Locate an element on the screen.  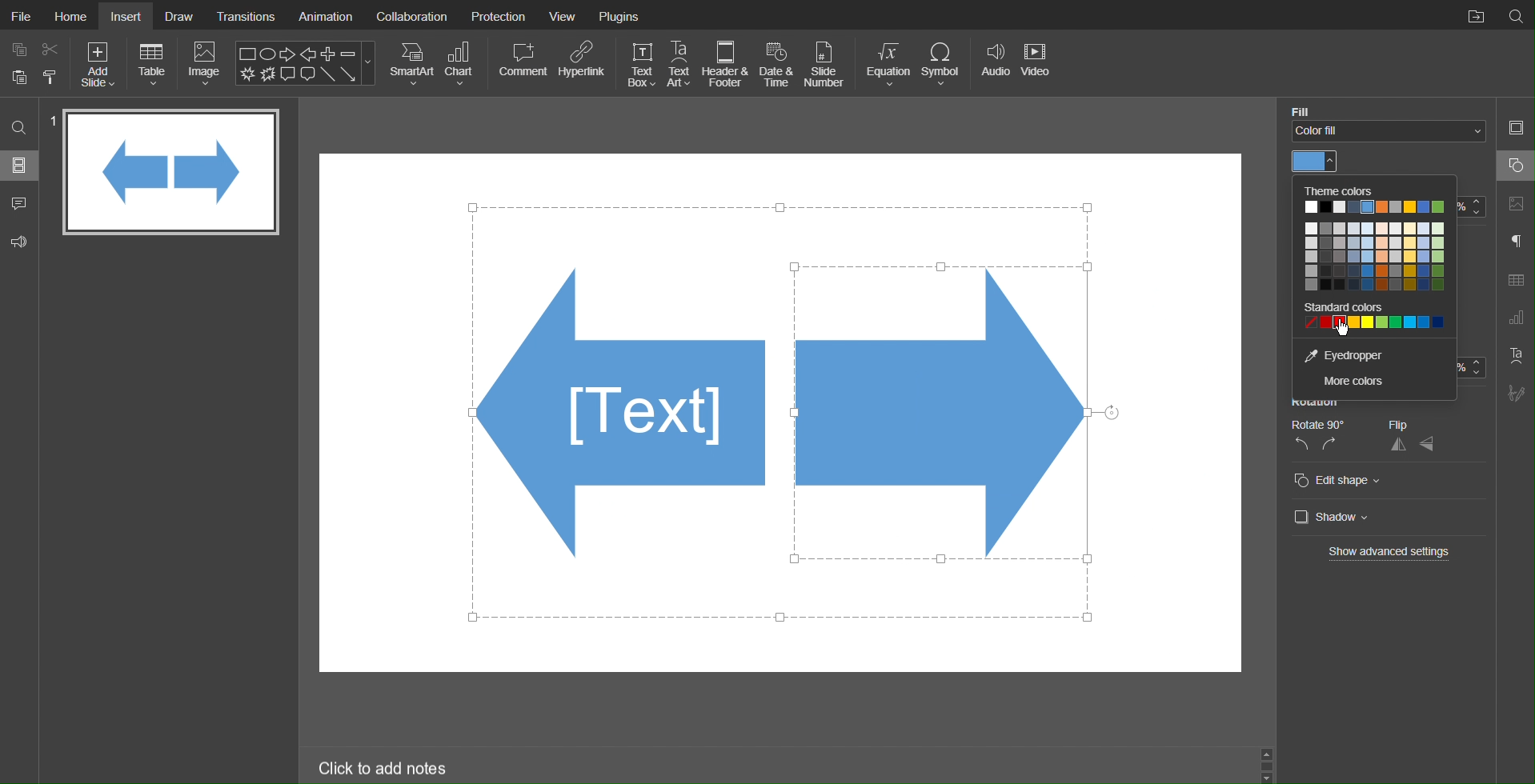
Transitions is located at coordinates (246, 15).